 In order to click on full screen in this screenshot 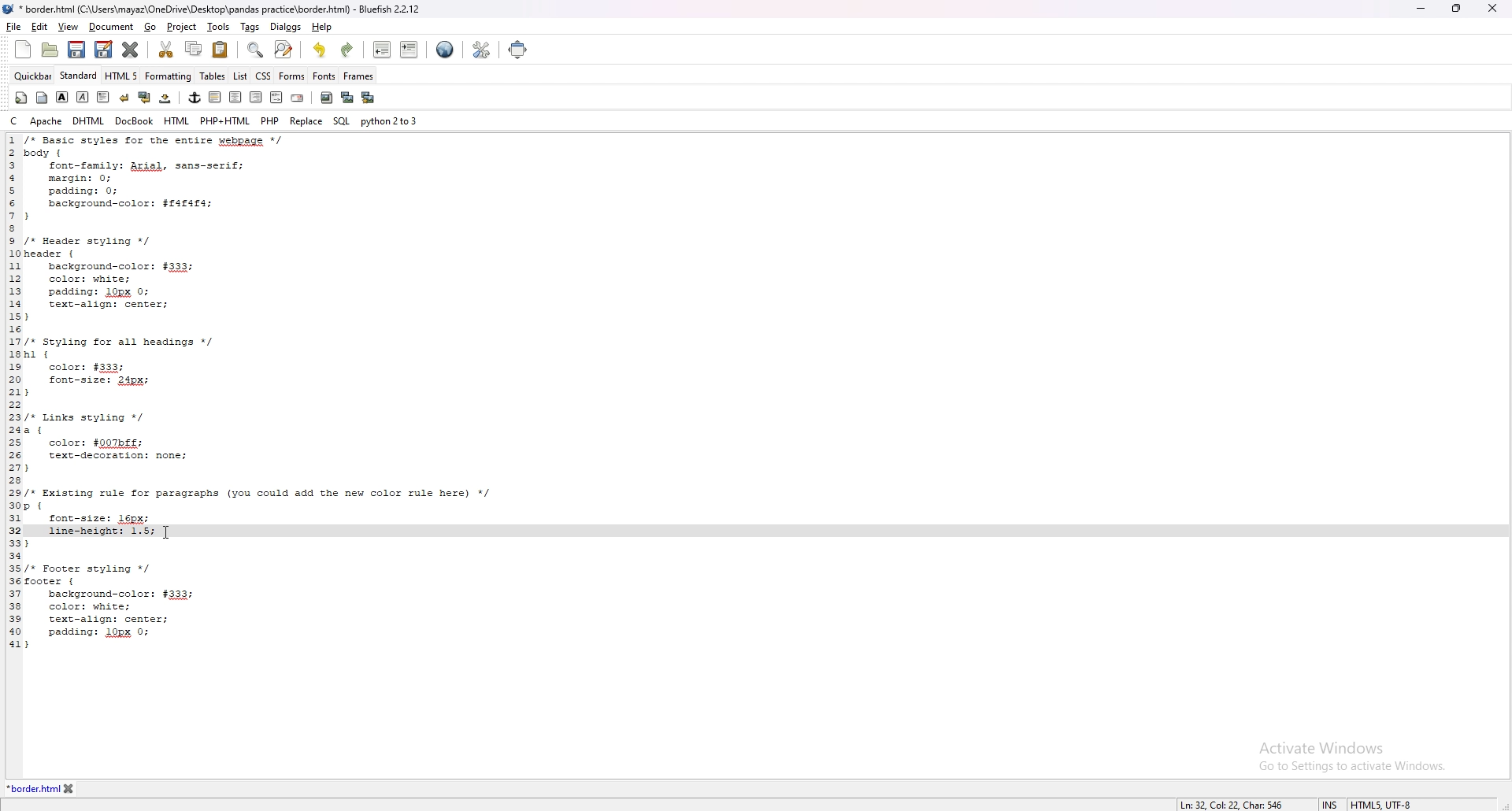, I will do `click(525, 50)`.